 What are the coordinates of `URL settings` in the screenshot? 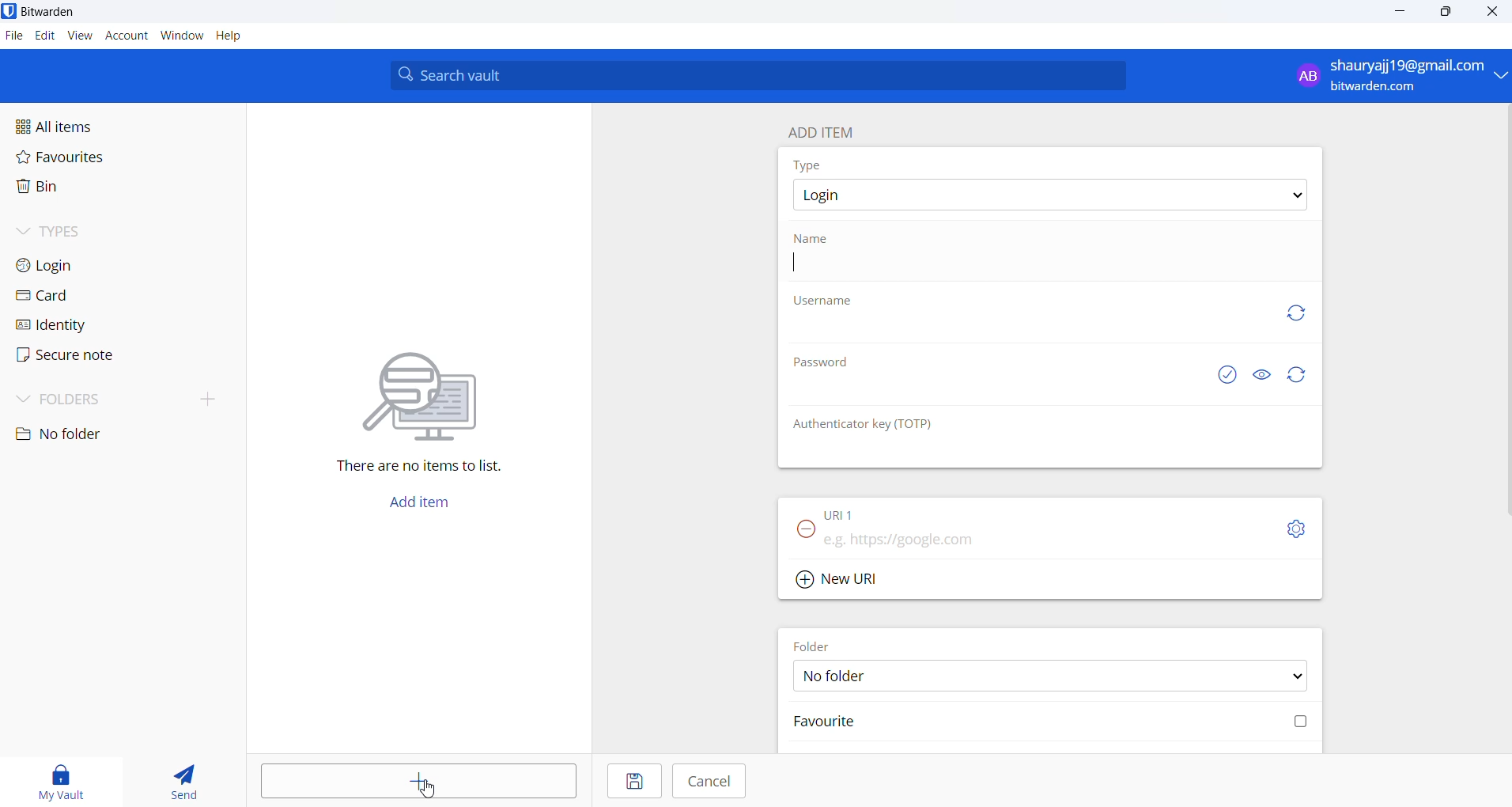 It's located at (1299, 530).